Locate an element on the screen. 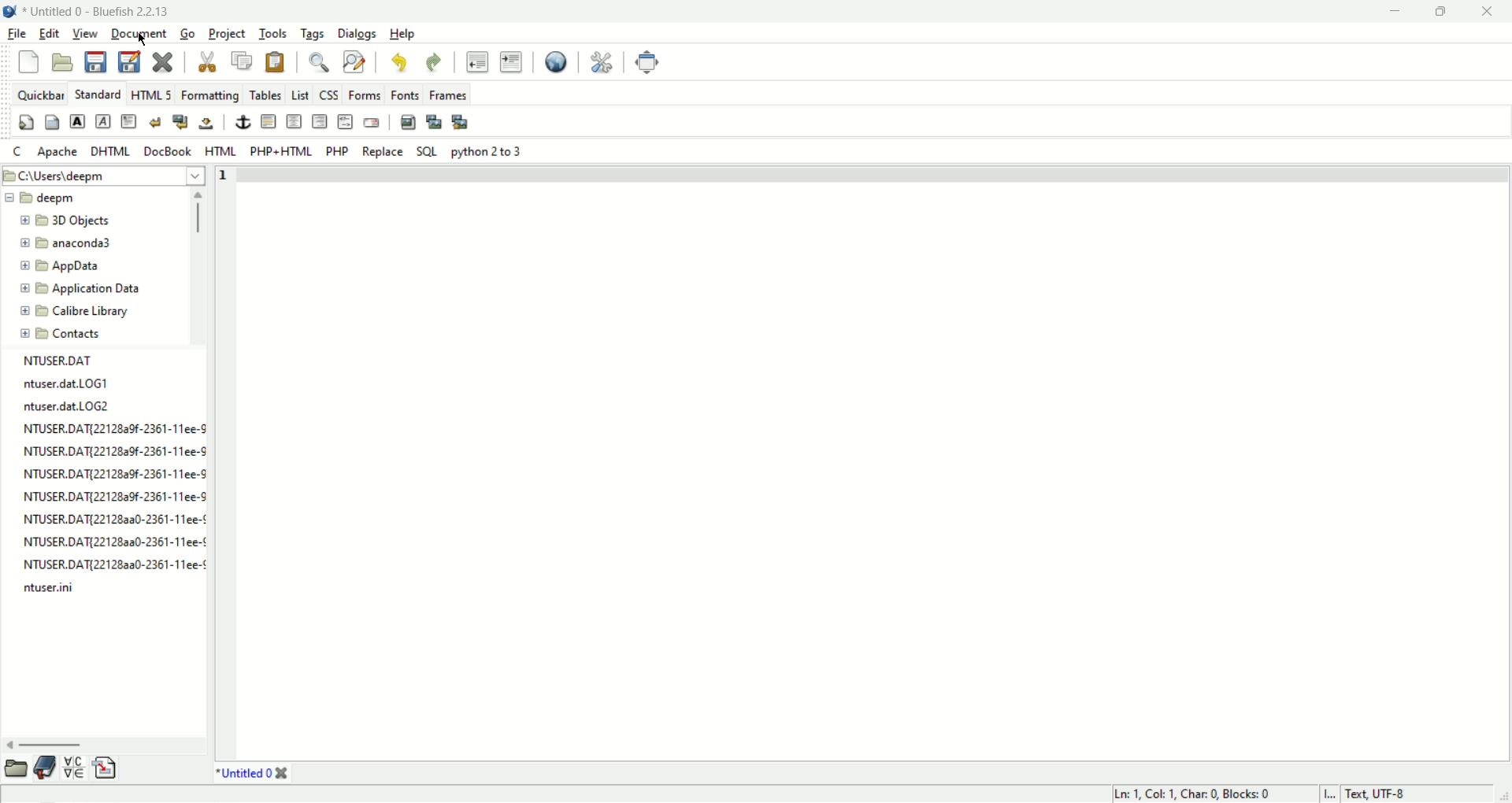  tools is located at coordinates (272, 34).